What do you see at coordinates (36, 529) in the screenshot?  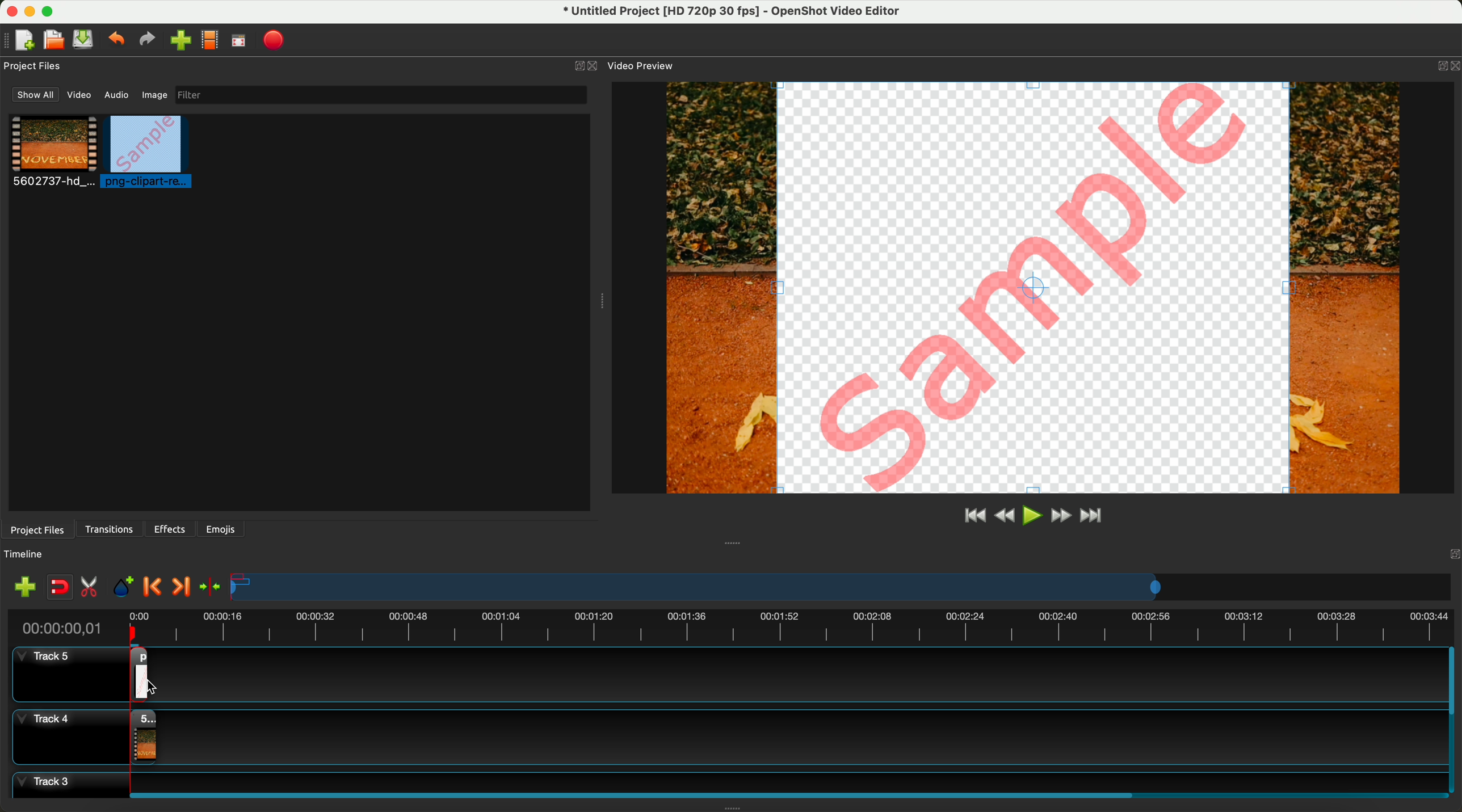 I see `project files` at bounding box center [36, 529].